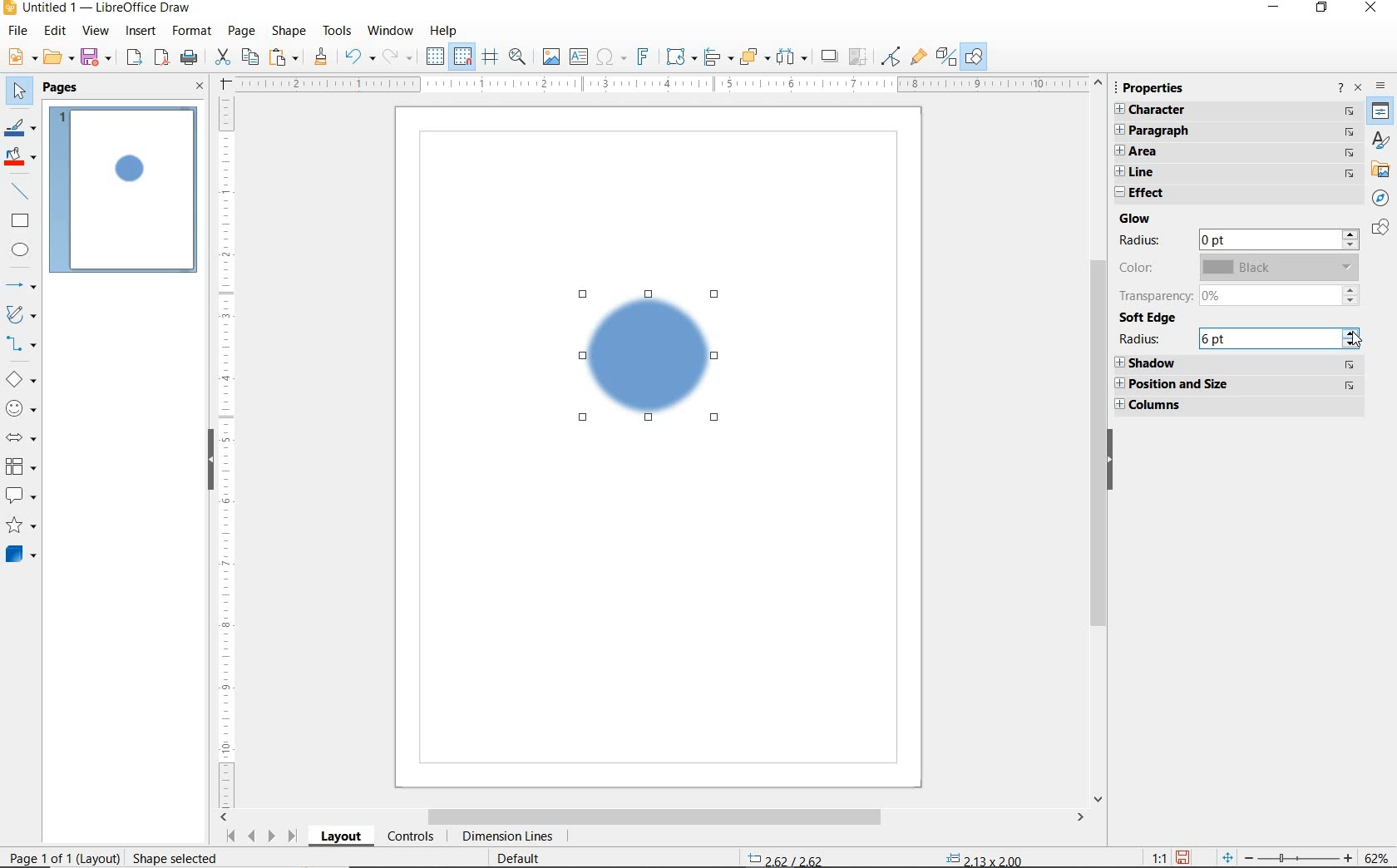 The image size is (1397, 868). Describe the element at coordinates (787, 859) in the screenshot. I see `2.62/2.62` at that location.